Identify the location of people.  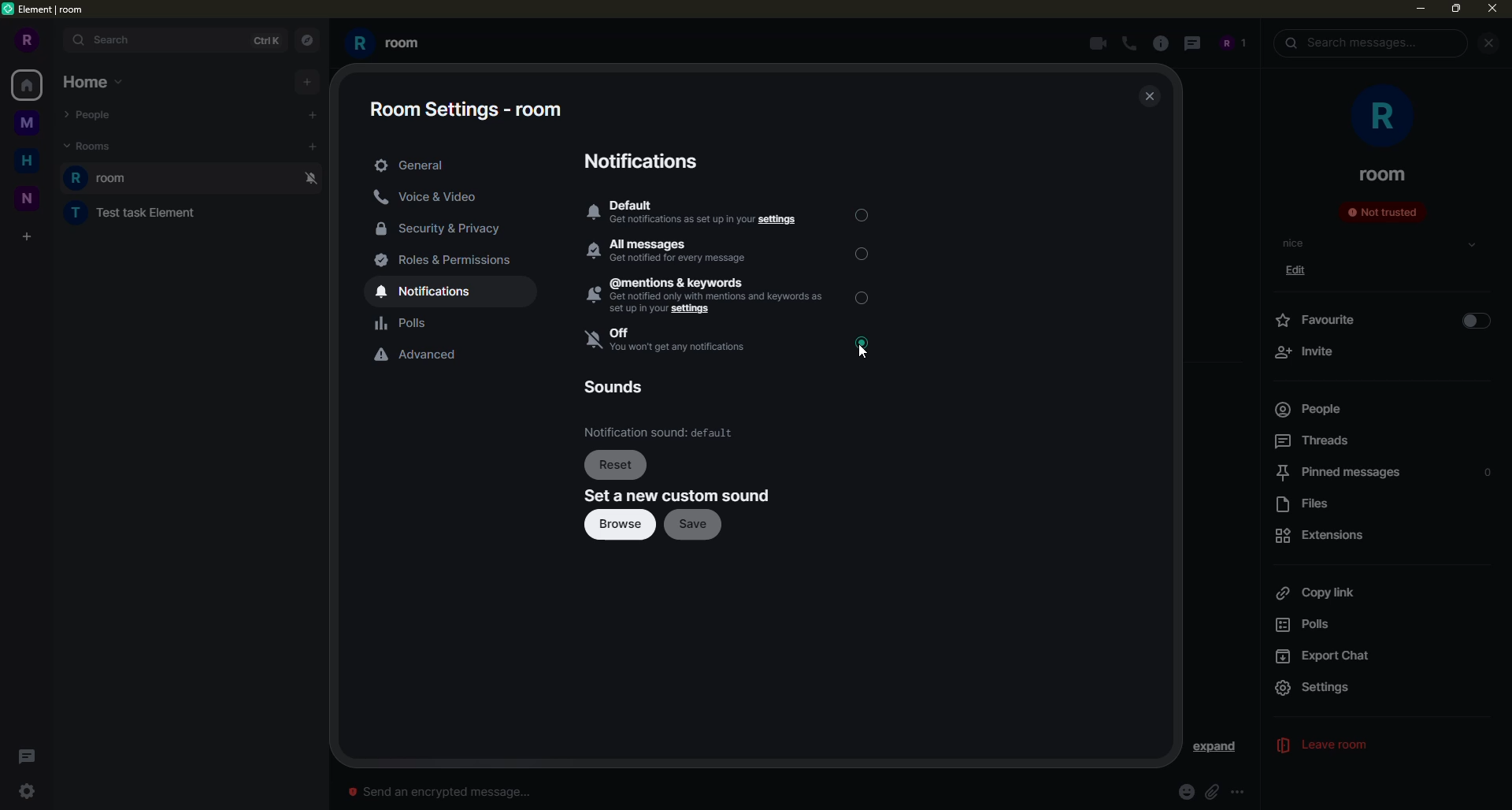
(93, 112).